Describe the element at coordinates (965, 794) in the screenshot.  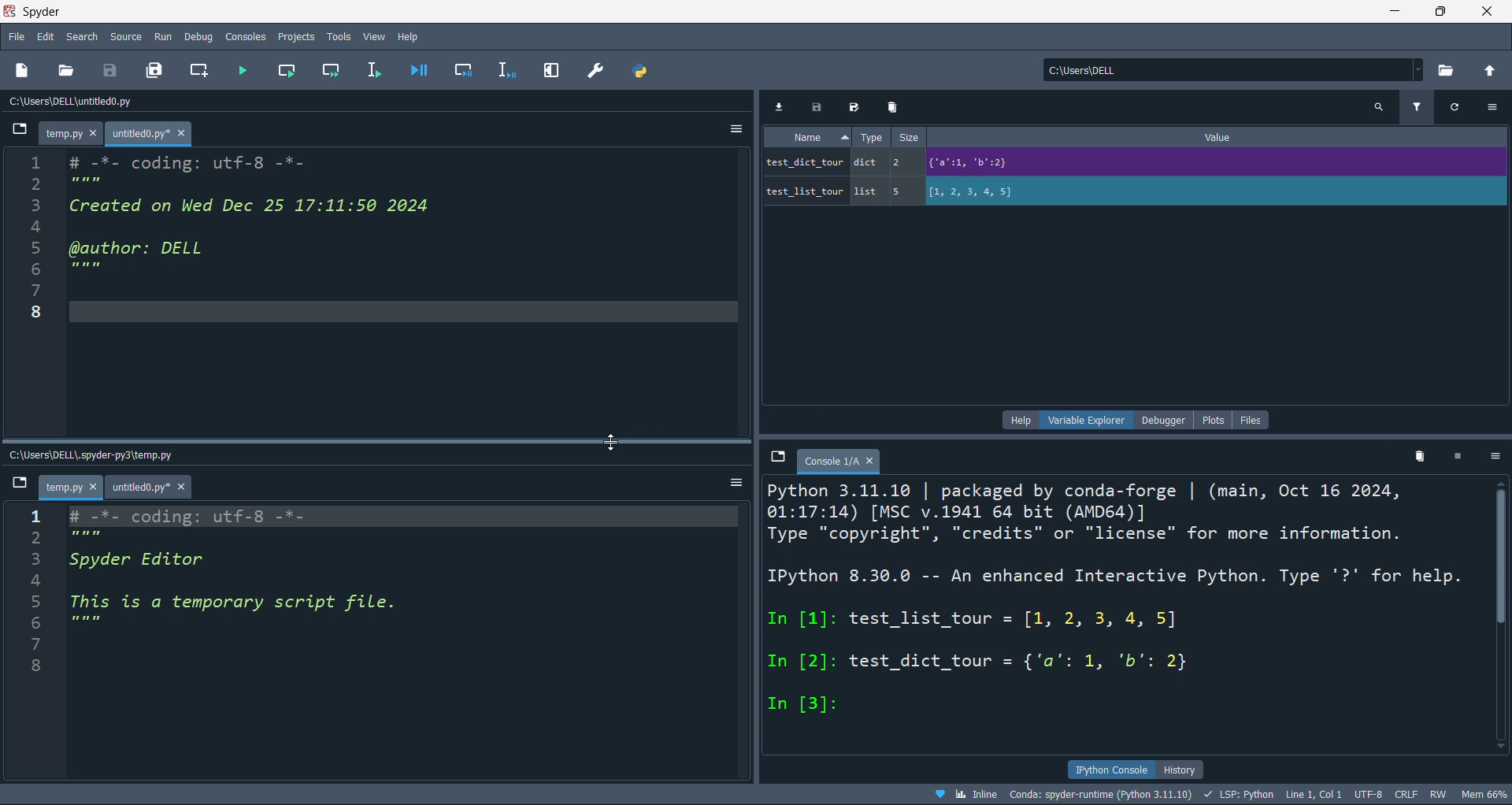
I see `Inline` at that location.